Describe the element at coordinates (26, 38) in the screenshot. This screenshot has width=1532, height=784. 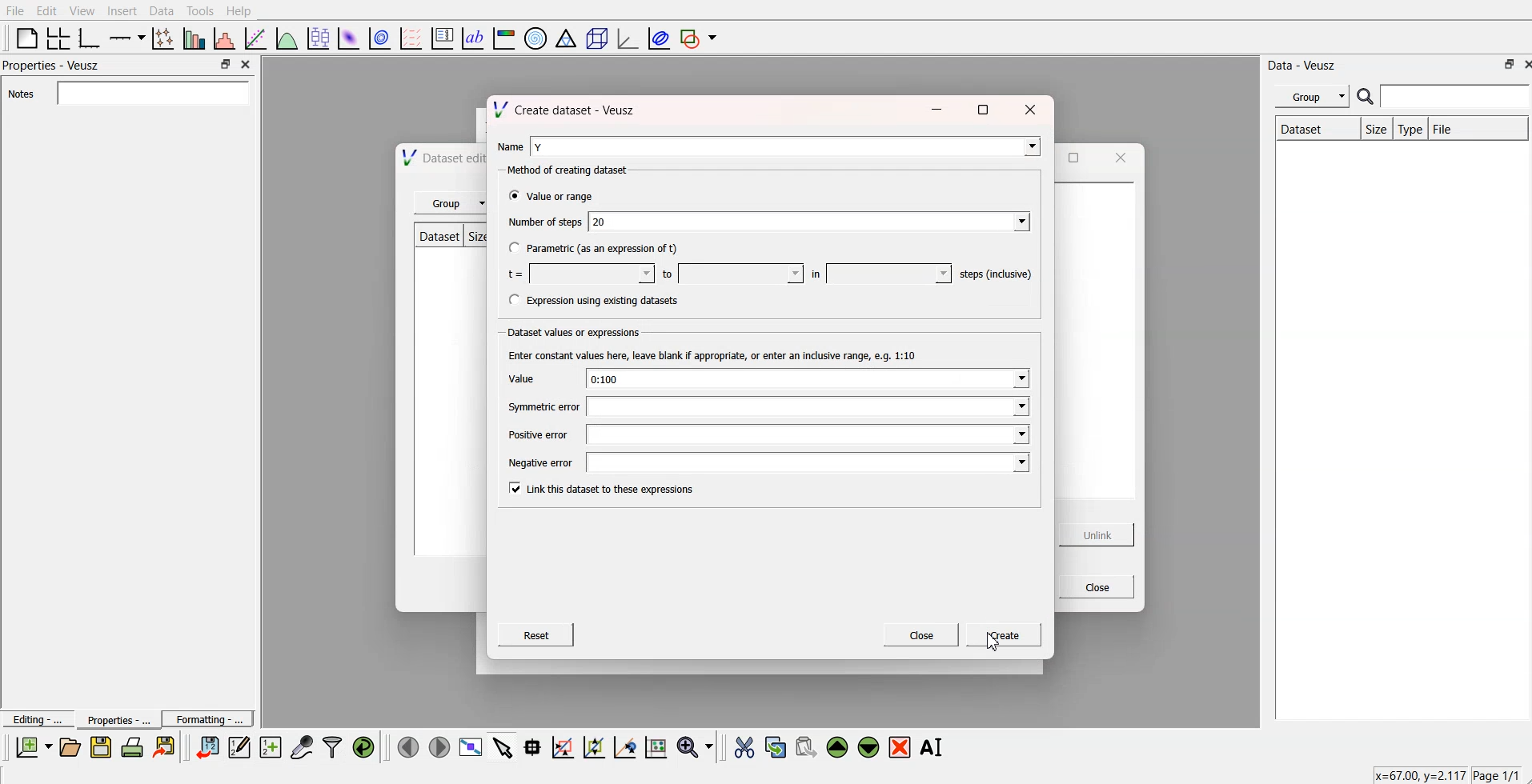
I see `blank page` at that location.